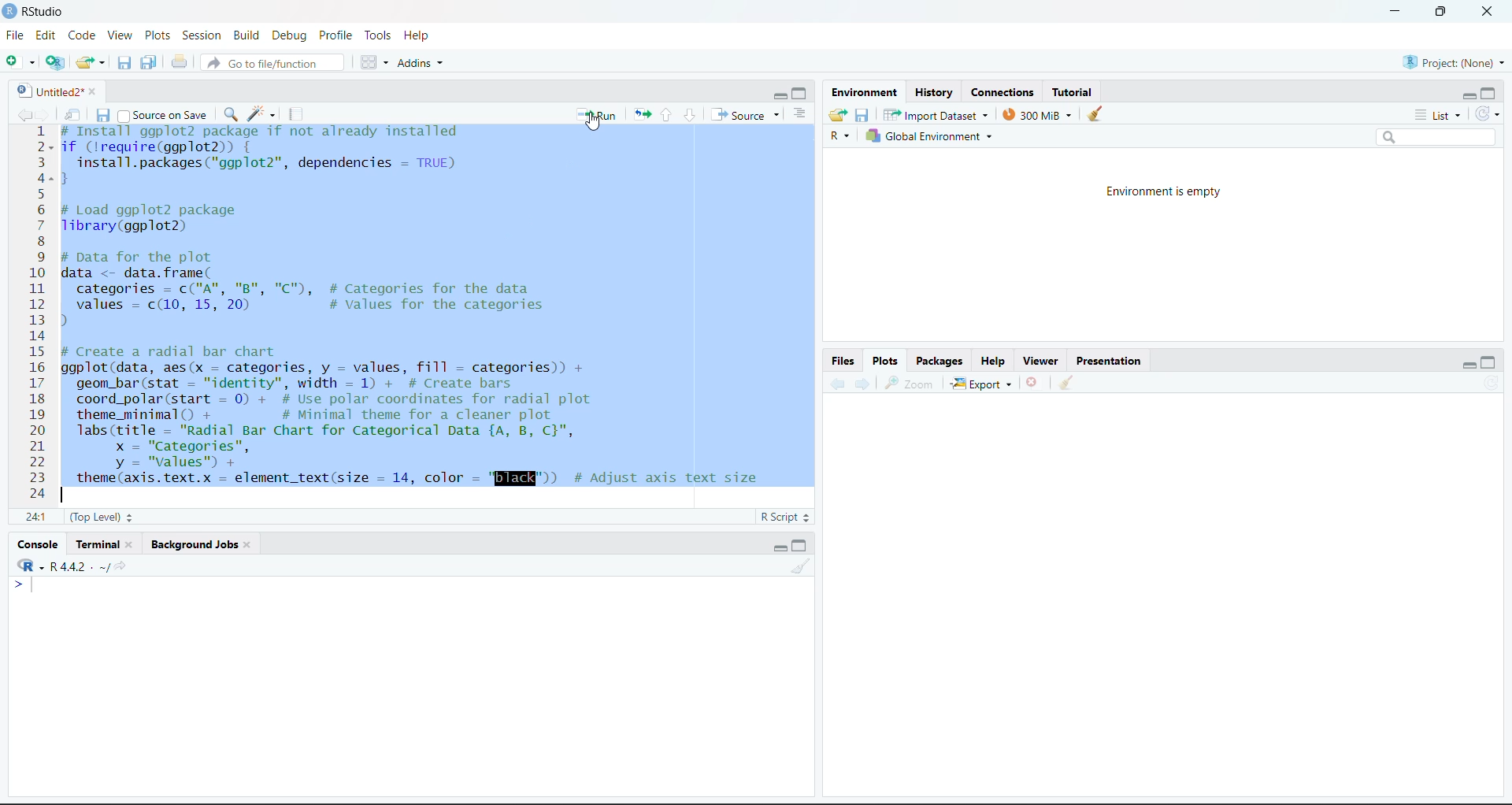 Image resolution: width=1512 pixels, height=805 pixels. Describe the element at coordinates (1100, 114) in the screenshot. I see `clear history` at that location.